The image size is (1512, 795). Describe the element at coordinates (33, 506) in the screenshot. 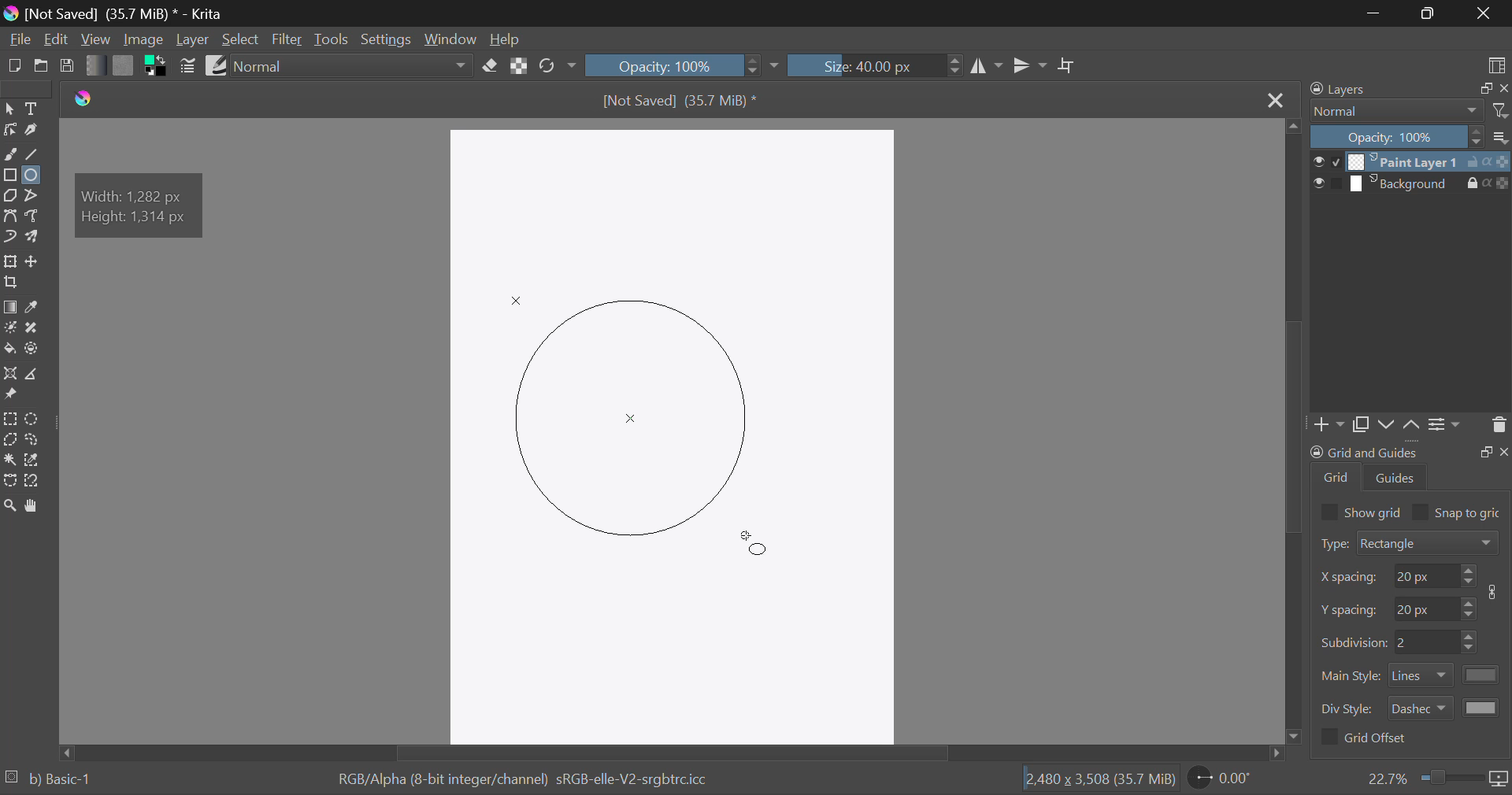

I see `Pan` at that location.